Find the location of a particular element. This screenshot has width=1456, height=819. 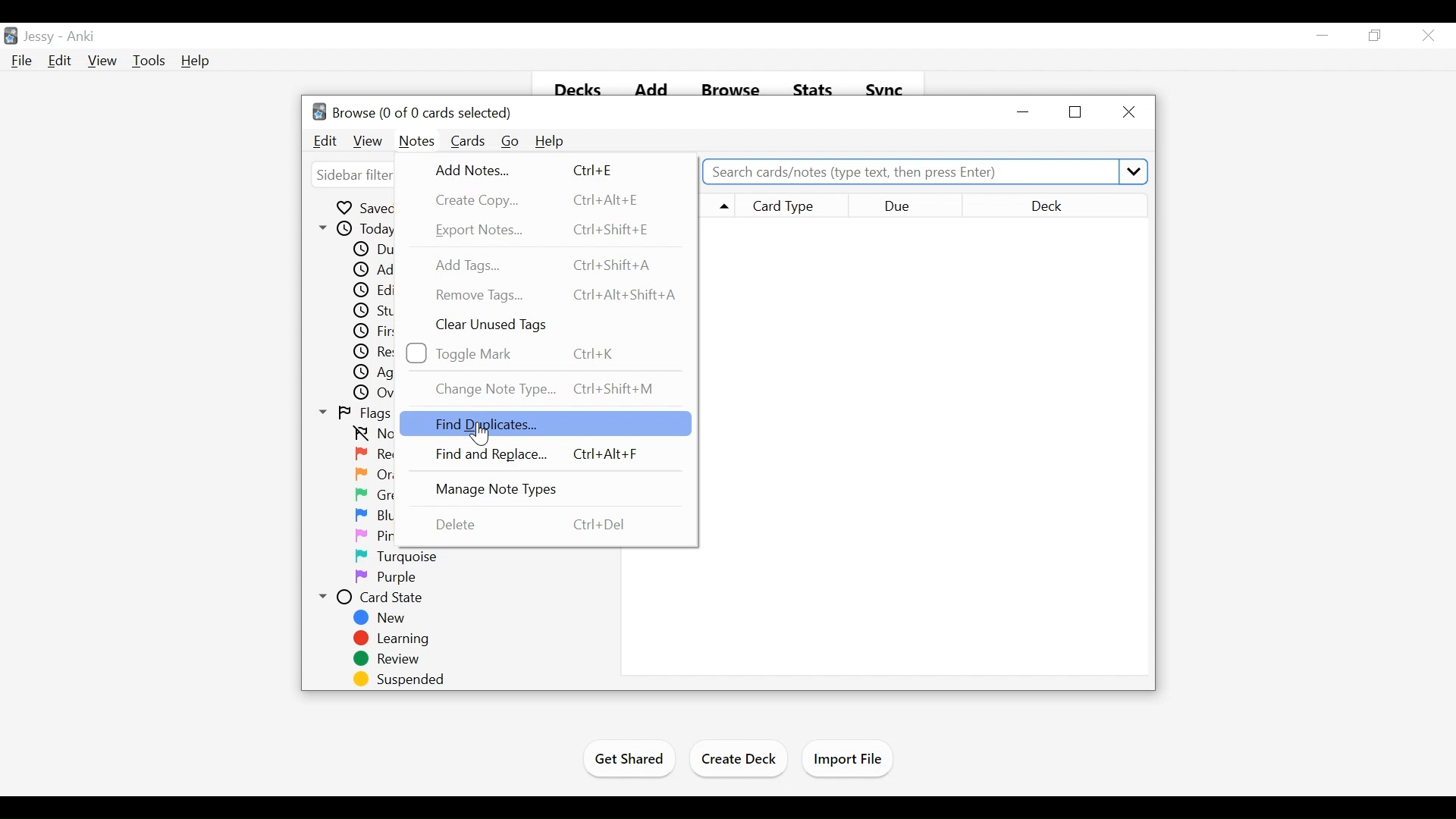

Rescheduled is located at coordinates (384, 352).